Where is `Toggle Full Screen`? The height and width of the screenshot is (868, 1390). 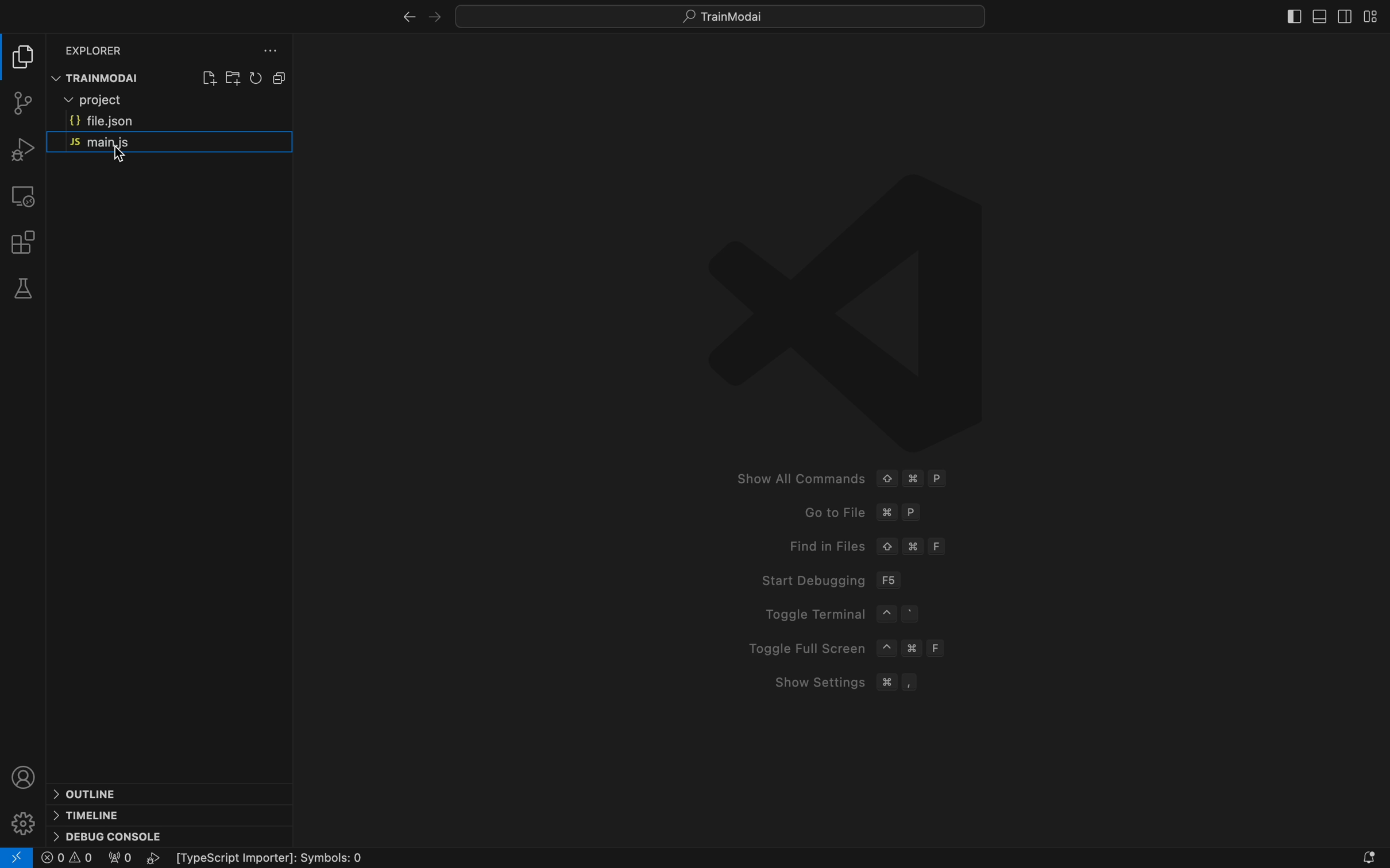
Toggle Full Screen is located at coordinates (842, 645).